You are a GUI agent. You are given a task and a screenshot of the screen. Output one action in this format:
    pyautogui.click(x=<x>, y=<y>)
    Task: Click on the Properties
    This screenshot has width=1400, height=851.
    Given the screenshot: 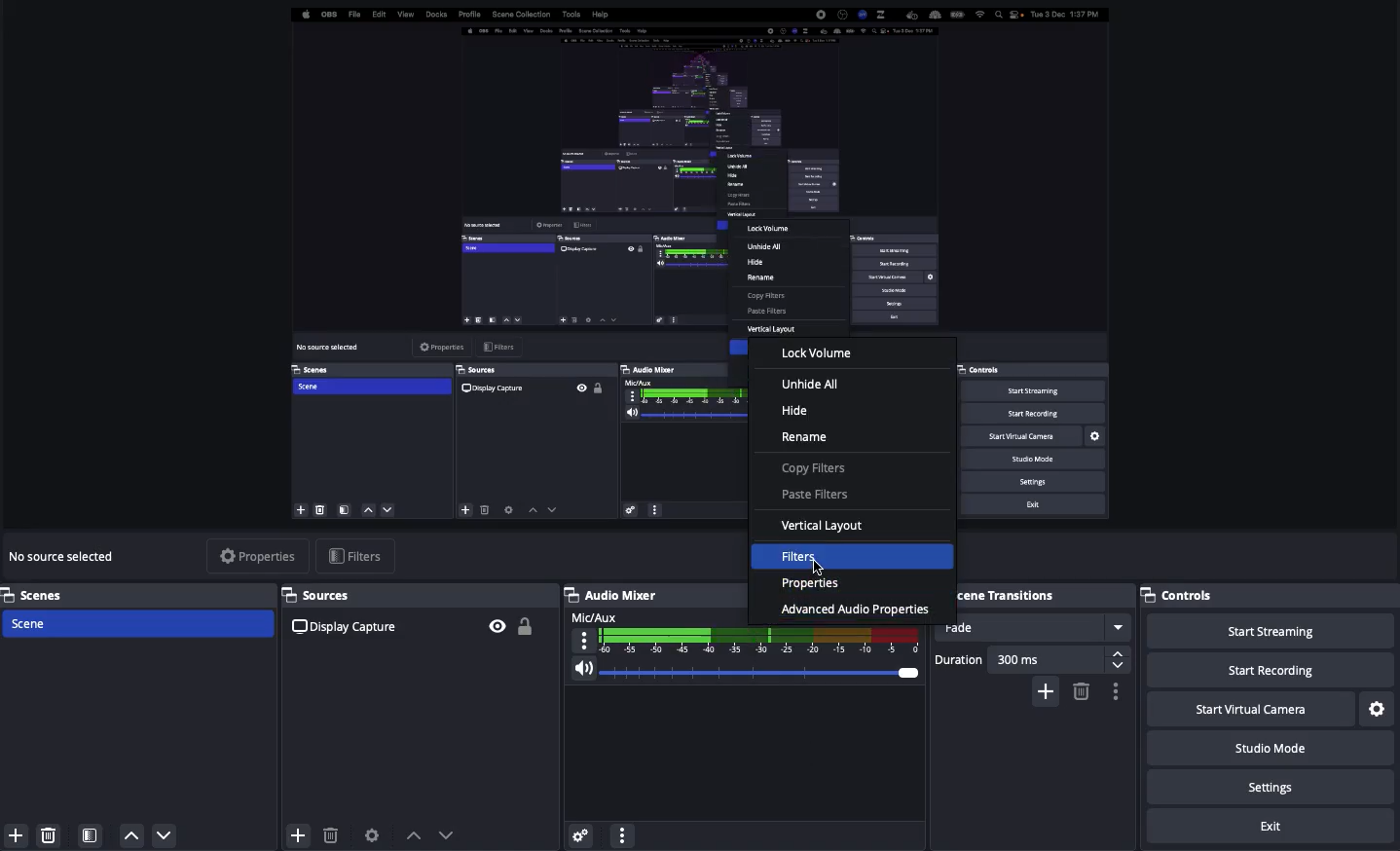 What is the action you would take?
    pyautogui.click(x=809, y=583)
    